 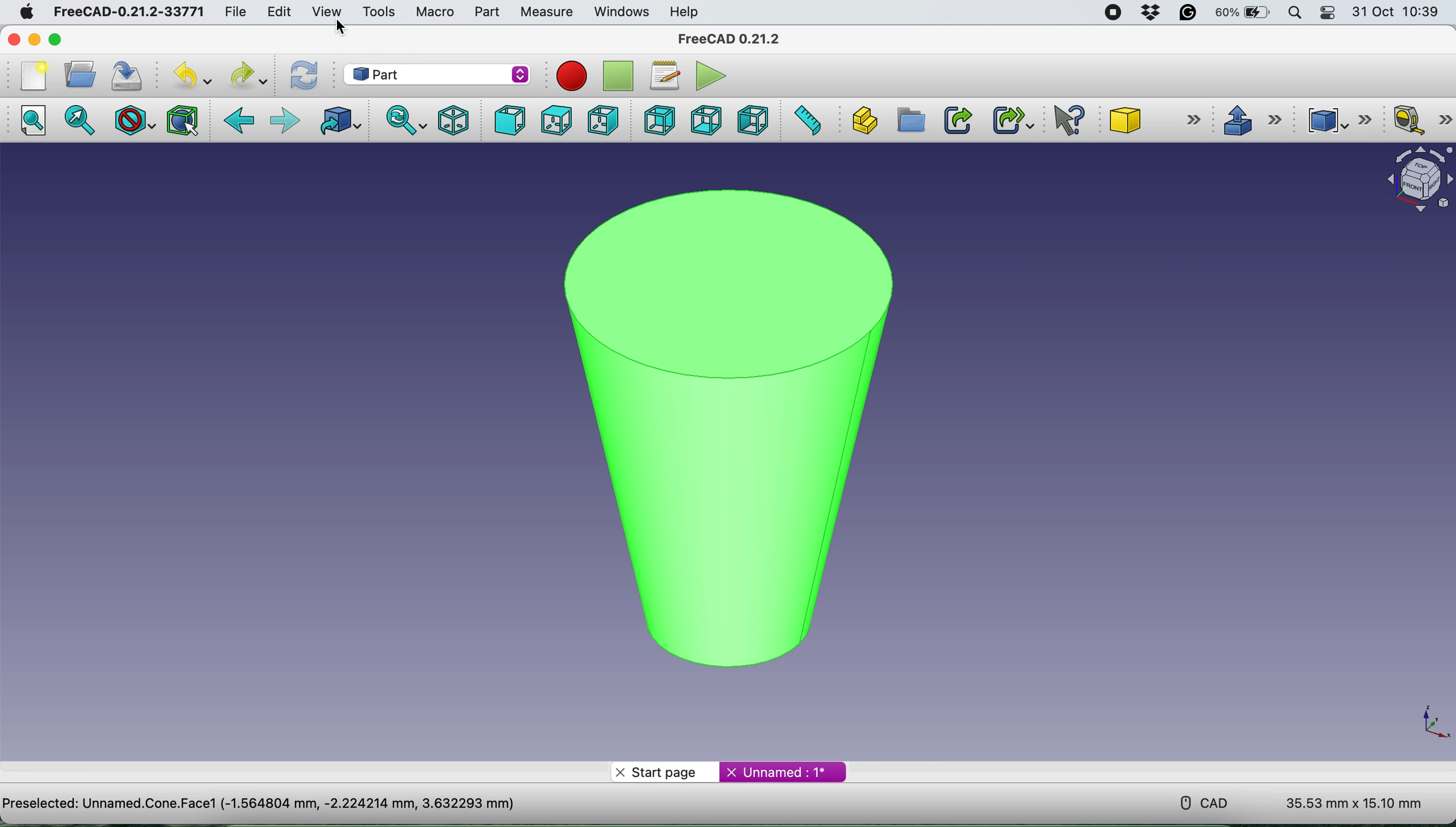 What do you see at coordinates (1427, 722) in the screenshot?
I see `xy scale` at bounding box center [1427, 722].